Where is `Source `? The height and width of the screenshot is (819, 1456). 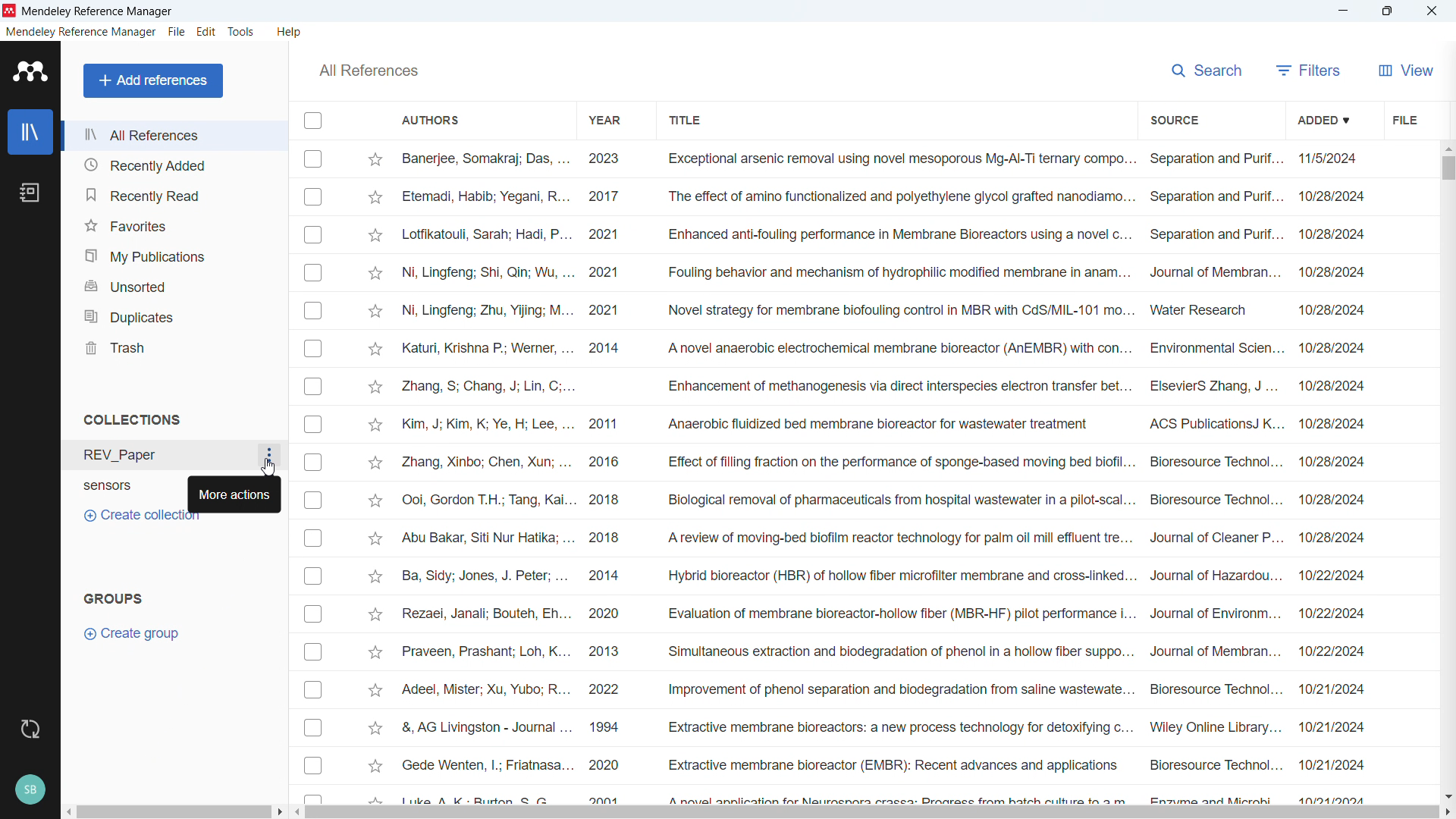
Source  is located at coordinates (1175, 118).